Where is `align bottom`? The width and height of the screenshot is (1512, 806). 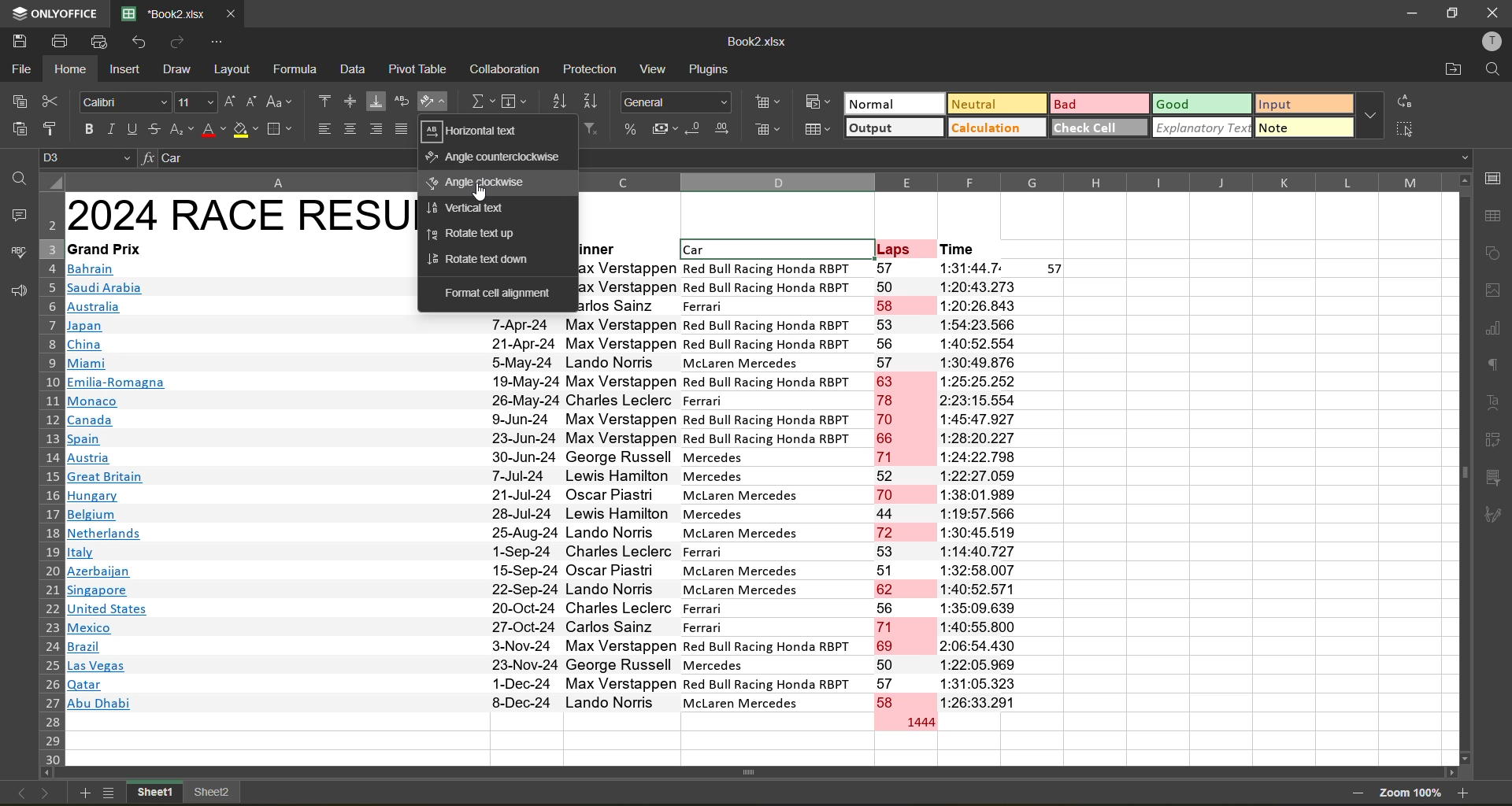
align bottom is located at coordinates (375, 100).